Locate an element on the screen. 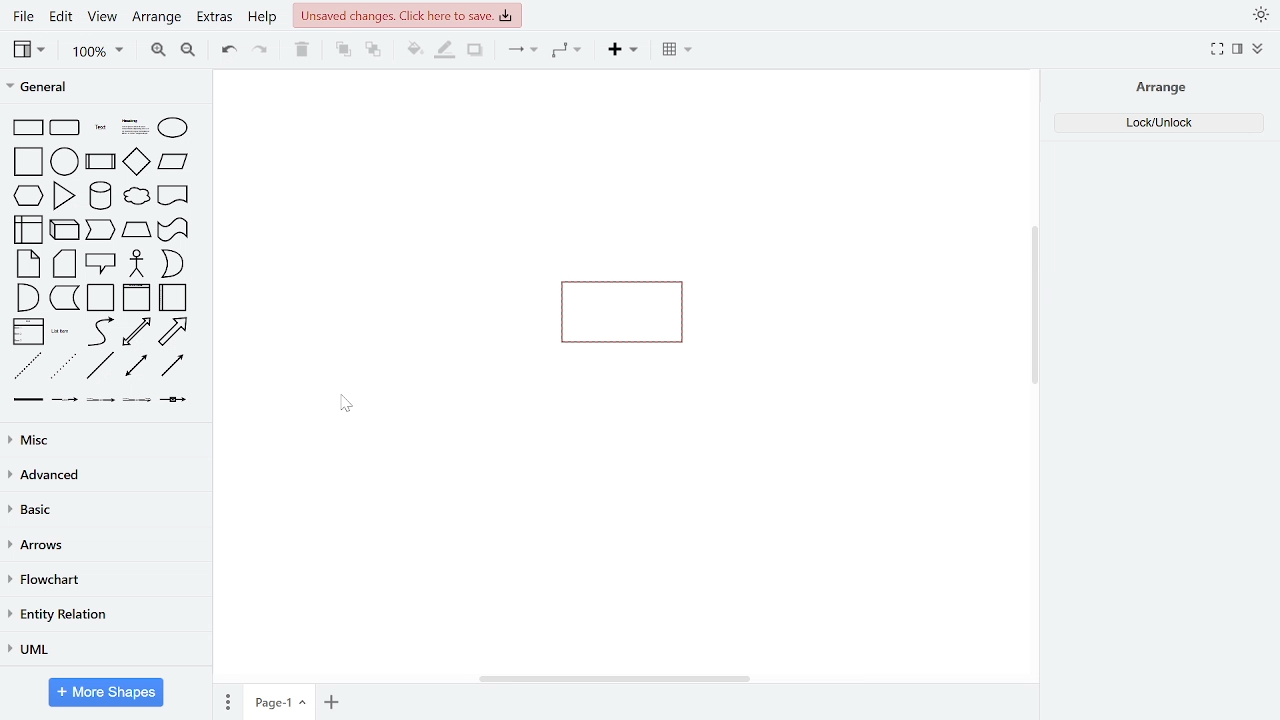 This screenshot has height=720, width=1280. actor is located at coordinates (136, 263).